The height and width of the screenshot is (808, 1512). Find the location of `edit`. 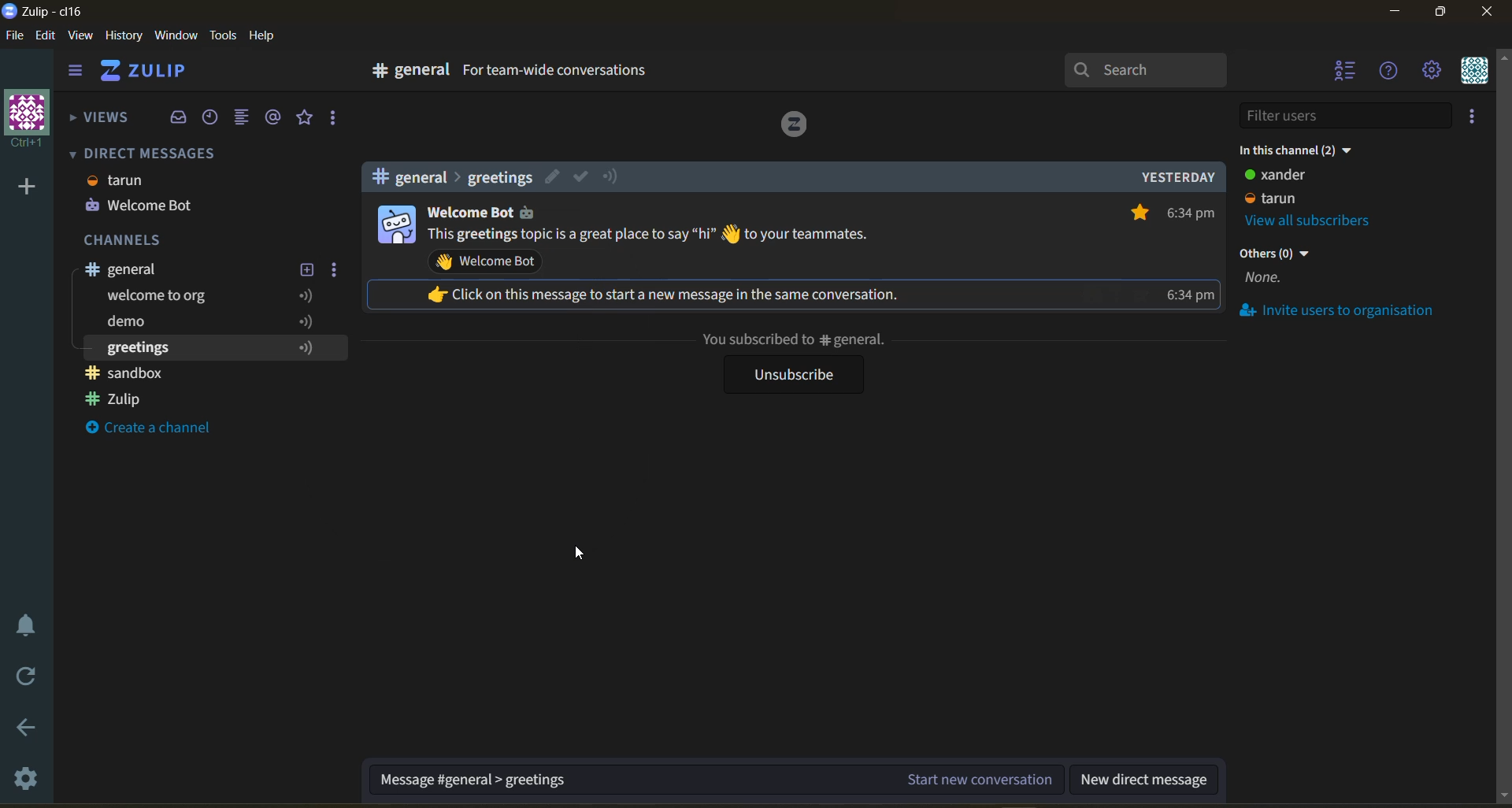

edit is located at coordinates (50, 39).